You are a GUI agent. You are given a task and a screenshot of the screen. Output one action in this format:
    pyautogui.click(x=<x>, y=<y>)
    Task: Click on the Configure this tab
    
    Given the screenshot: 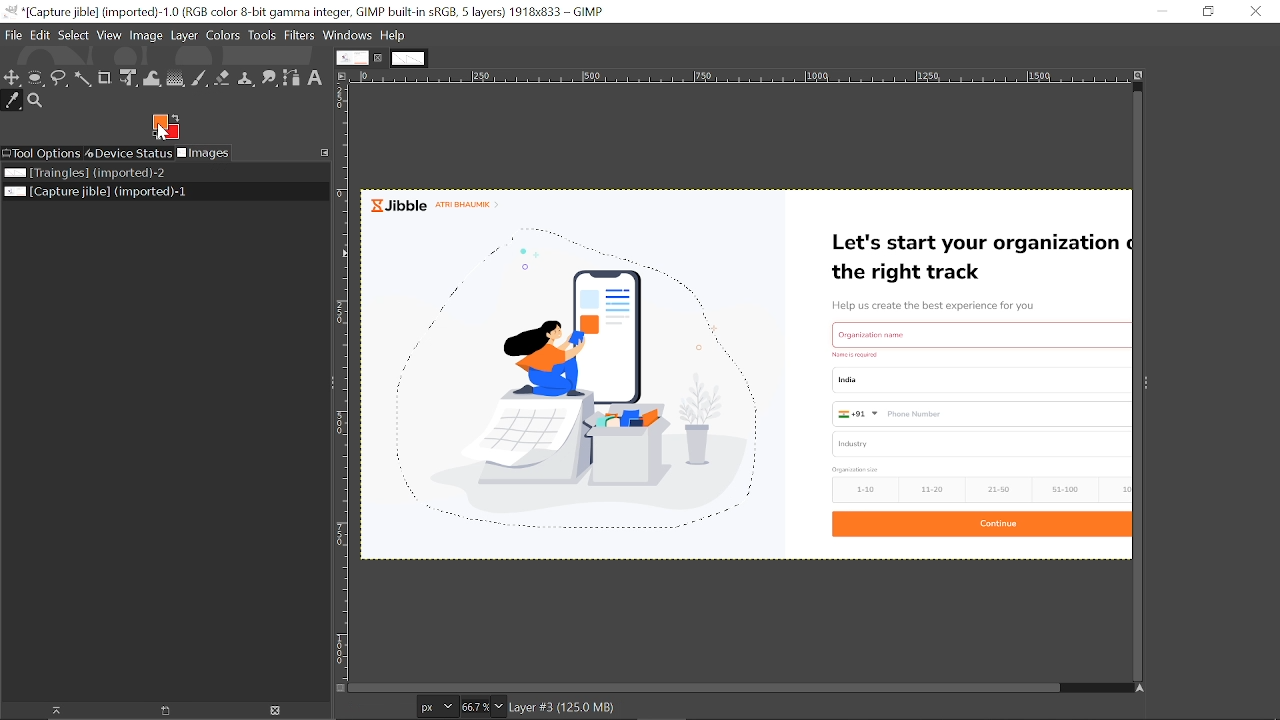 What is the action you would take?
    pyautogui.click(x=325, y=153)
    